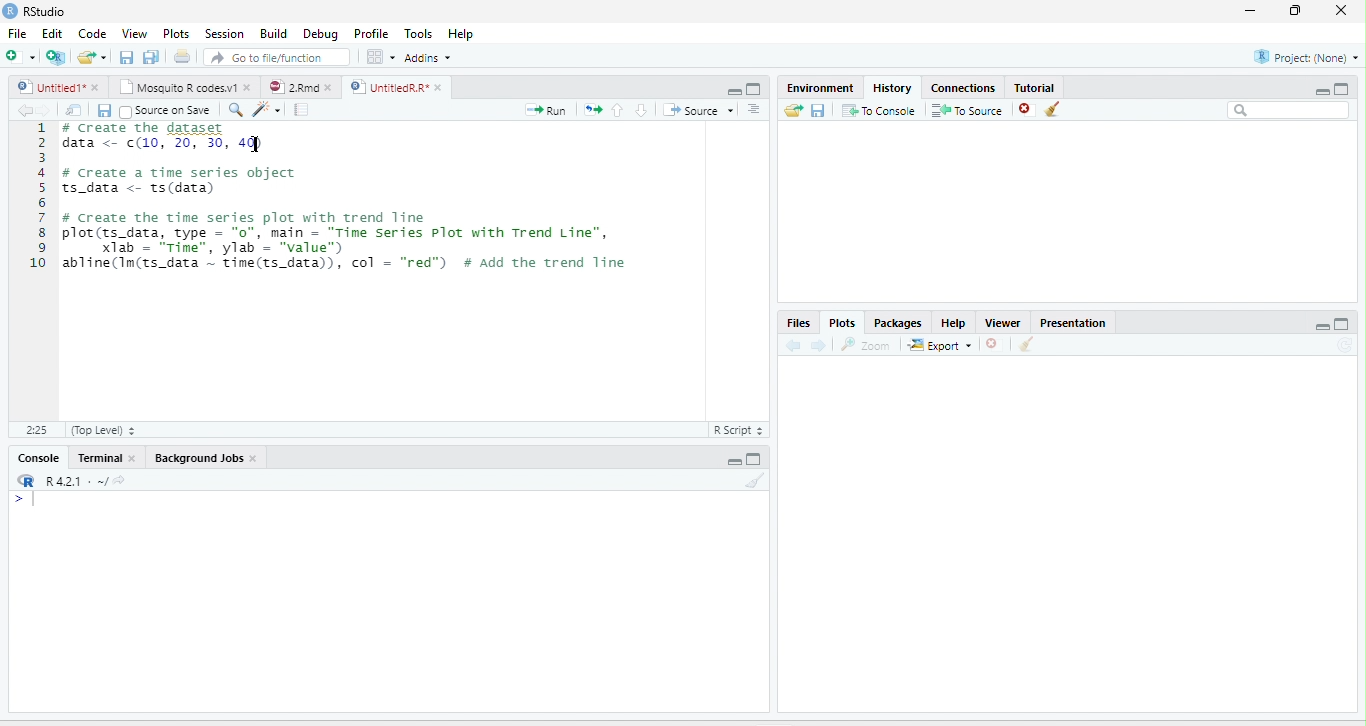  What do you see at coordinates (1003, 322) in the screenshot?
I see `Viewer` at bounding box center [1003, 322].